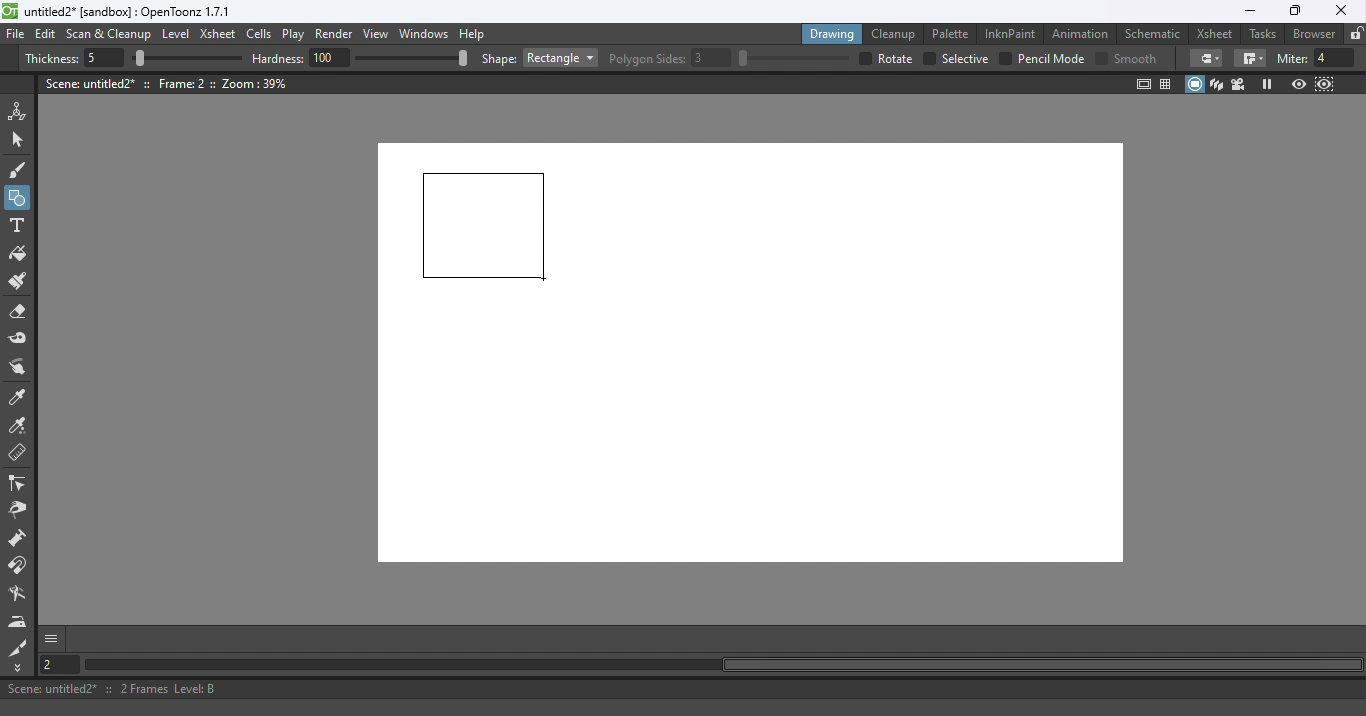 The height and width of the screenshot is (716, 1366). I want to click on Xsheet, so click(220, 36).